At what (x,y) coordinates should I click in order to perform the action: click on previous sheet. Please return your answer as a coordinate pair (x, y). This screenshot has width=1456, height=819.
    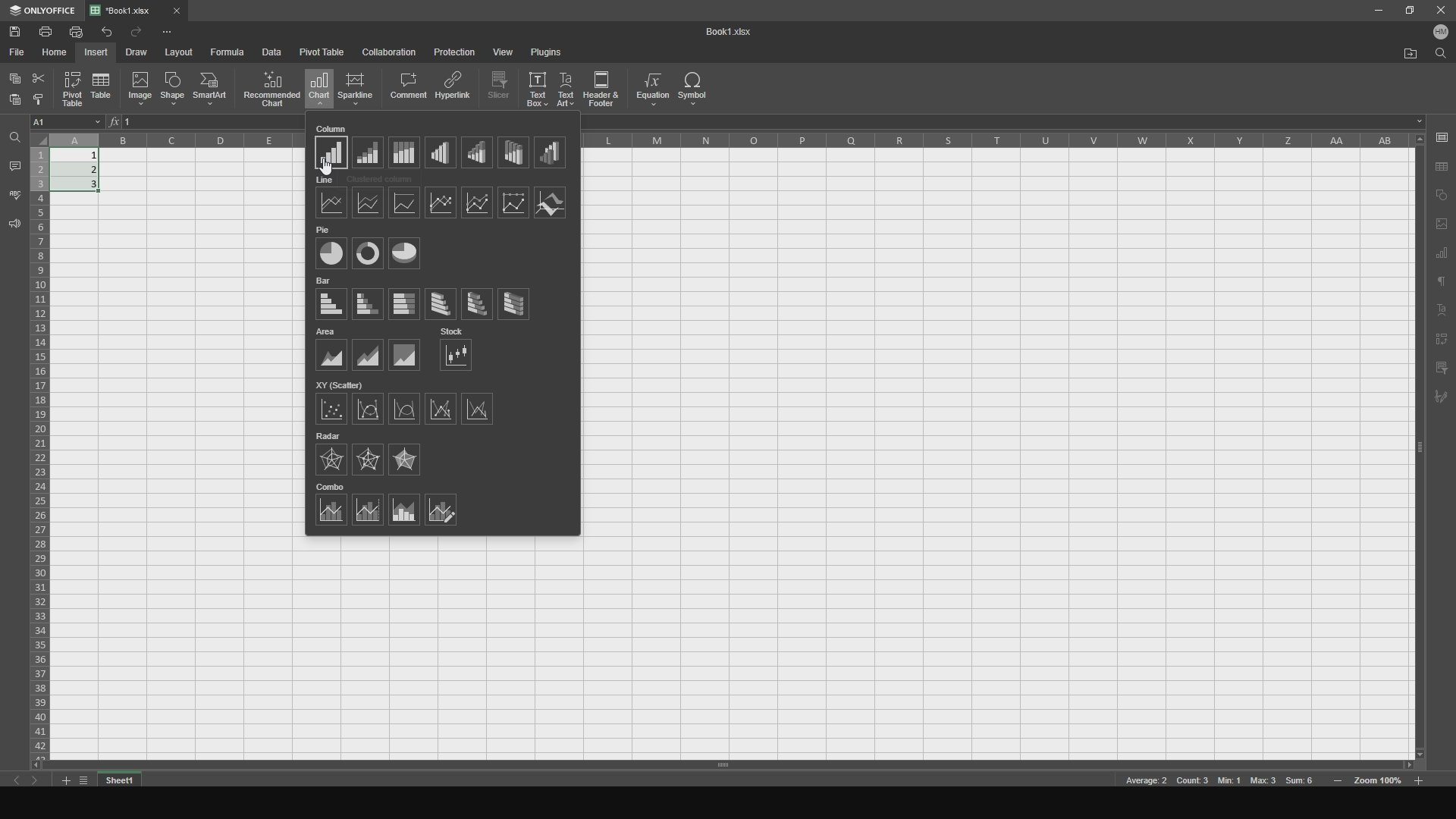
    Looking at the image, I should click on (24, 783).